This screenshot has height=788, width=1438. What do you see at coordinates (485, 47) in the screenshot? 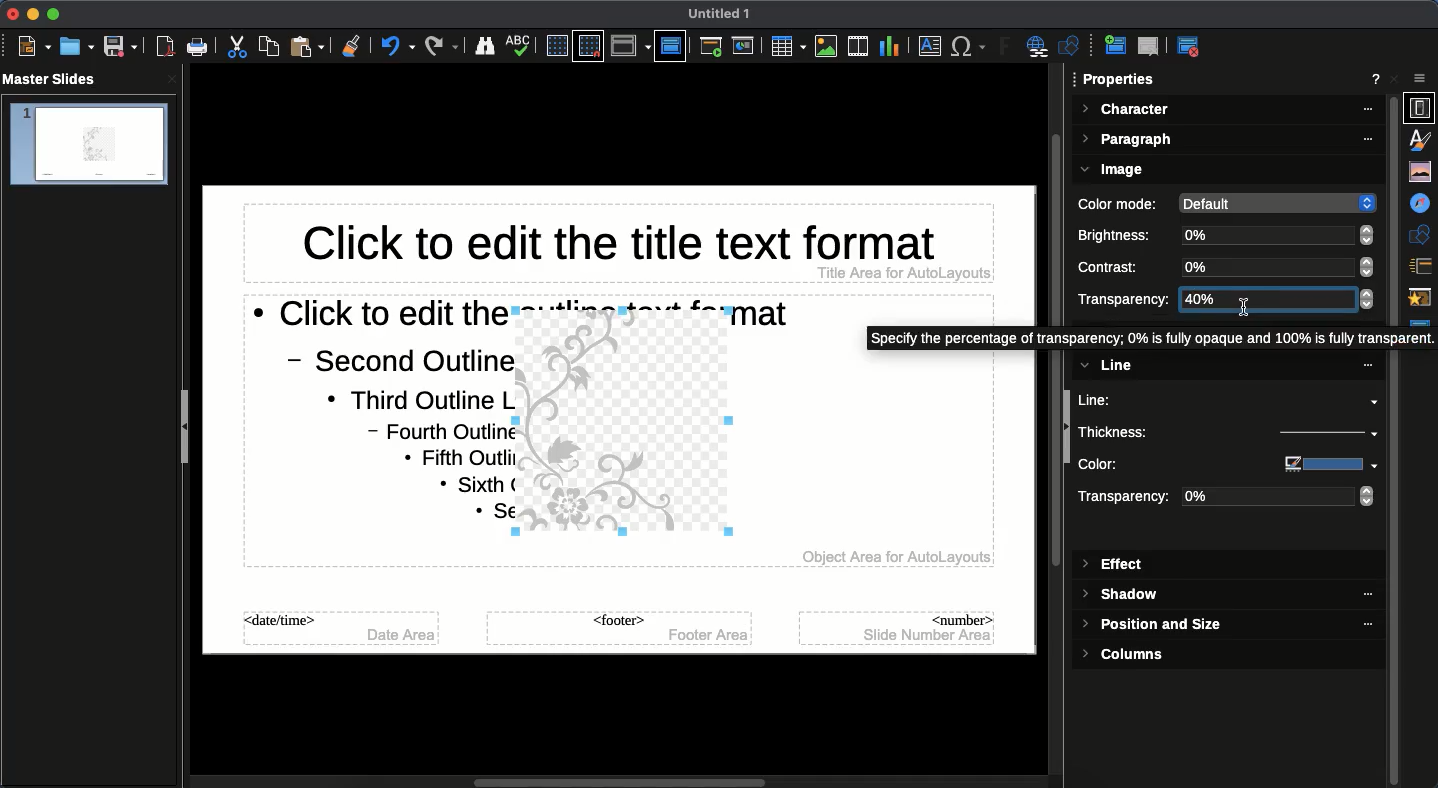
I see `Finder` at bounding box center [485, 47].